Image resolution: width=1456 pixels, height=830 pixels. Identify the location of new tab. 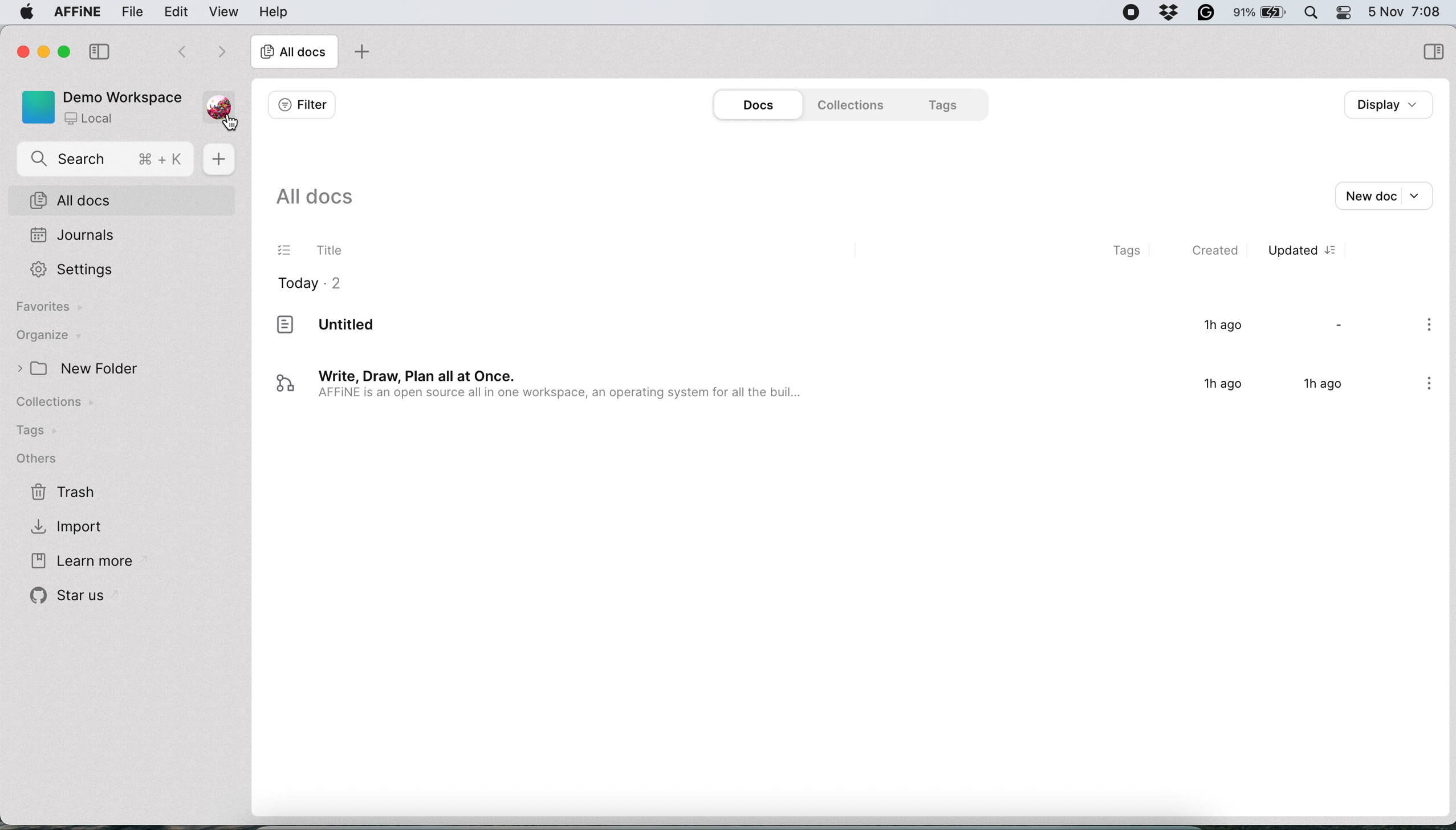
(361, 51).